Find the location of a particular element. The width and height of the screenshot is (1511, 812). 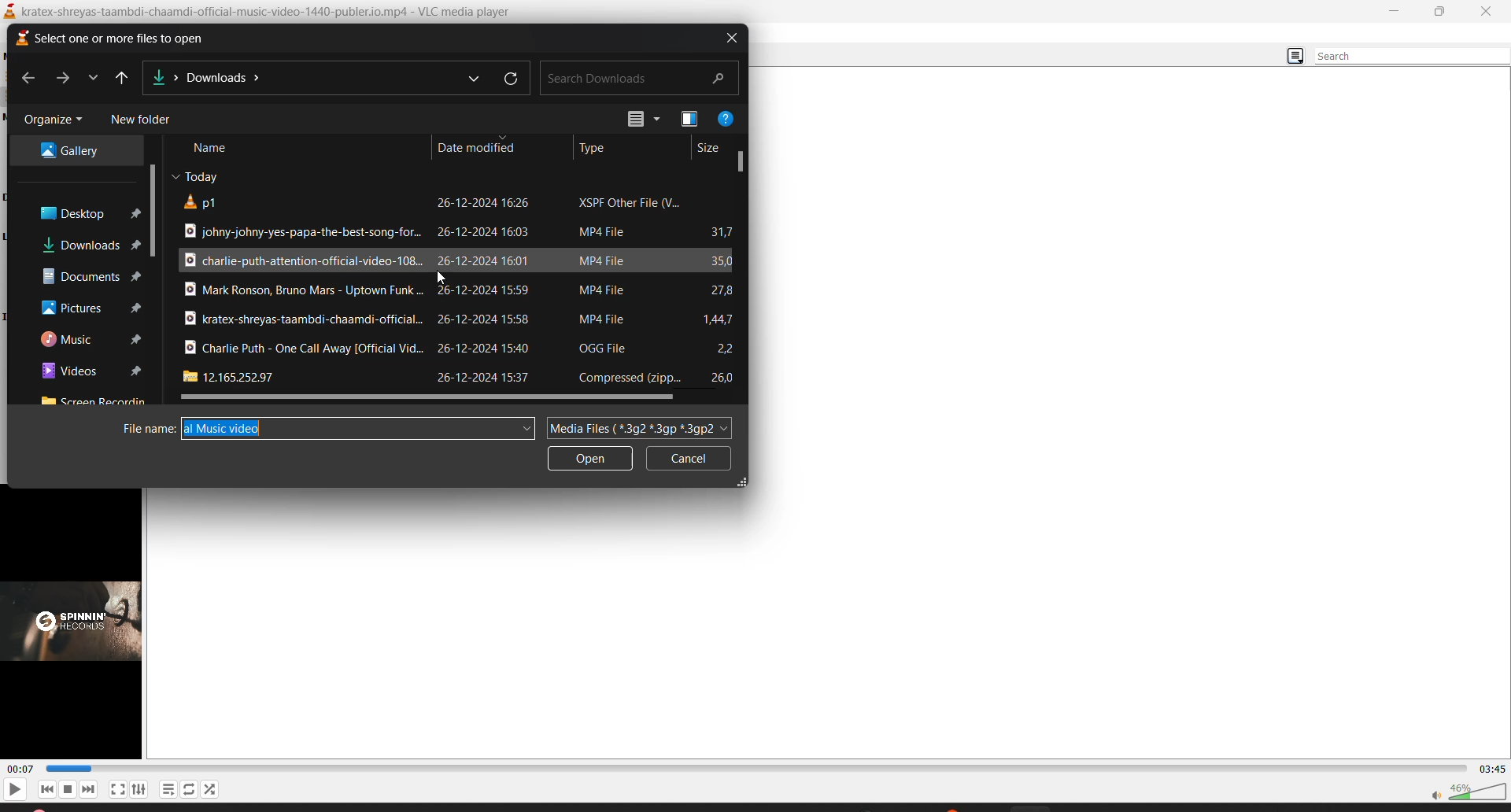

file type is located at coordinates (615, 260).